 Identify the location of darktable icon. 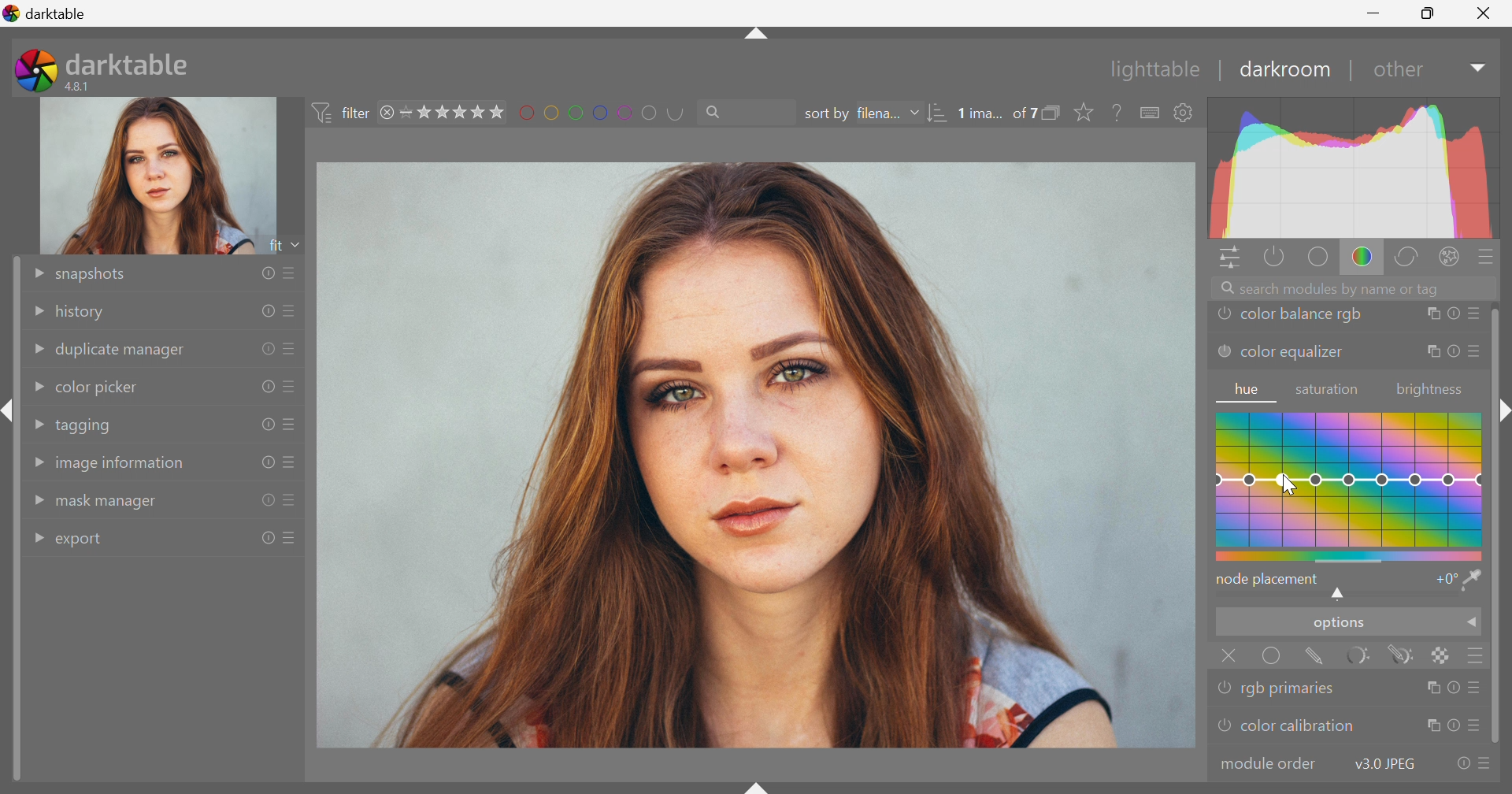
(32, 70).